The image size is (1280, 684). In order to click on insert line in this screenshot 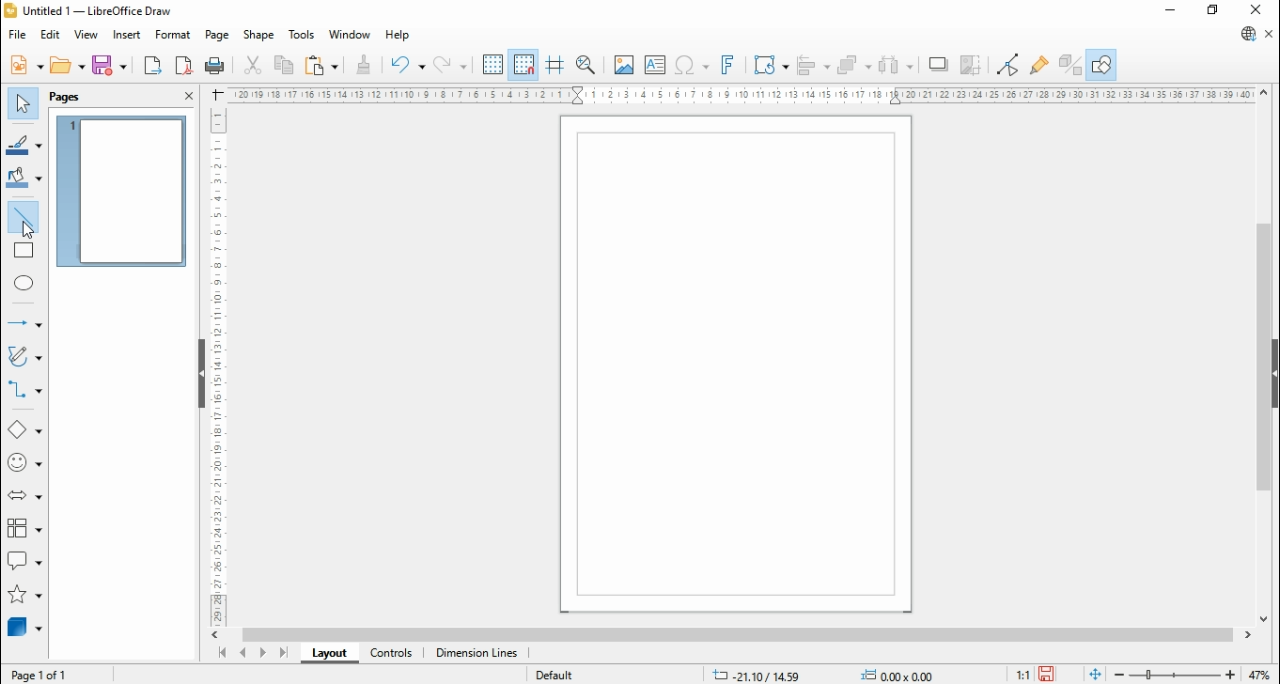, I will do `click(24, 215)`.